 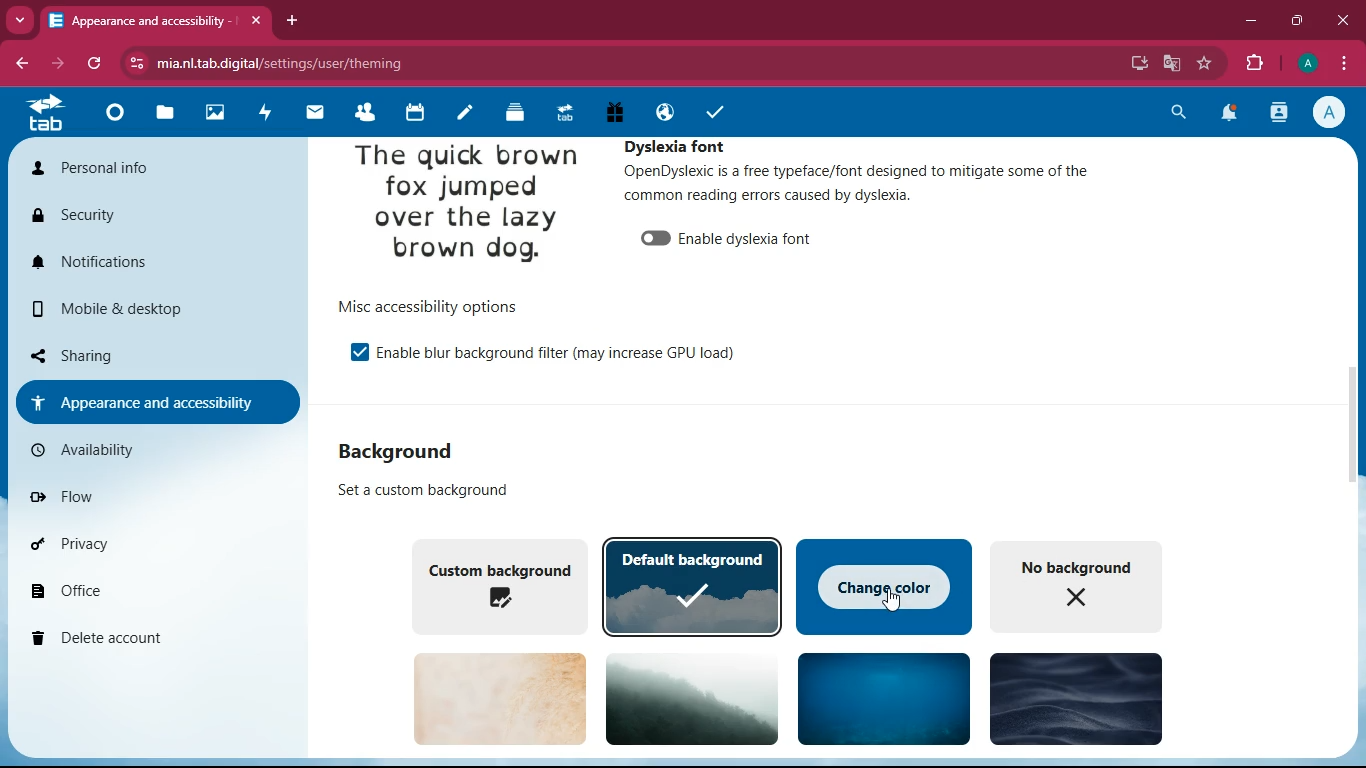 I want to click on mia.nltab.digital/settings/user/theming, so click(x=266, y=60).